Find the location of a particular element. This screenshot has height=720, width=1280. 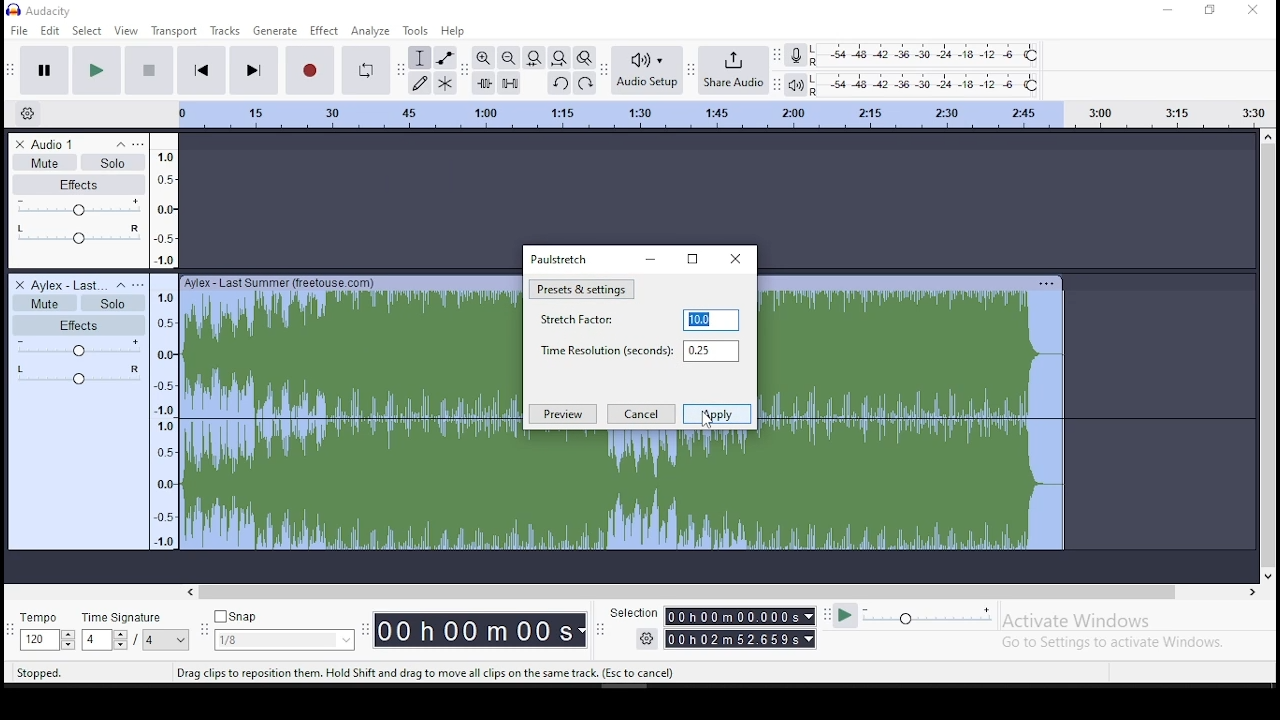

scroll bar is located at coordinates (725, 592).